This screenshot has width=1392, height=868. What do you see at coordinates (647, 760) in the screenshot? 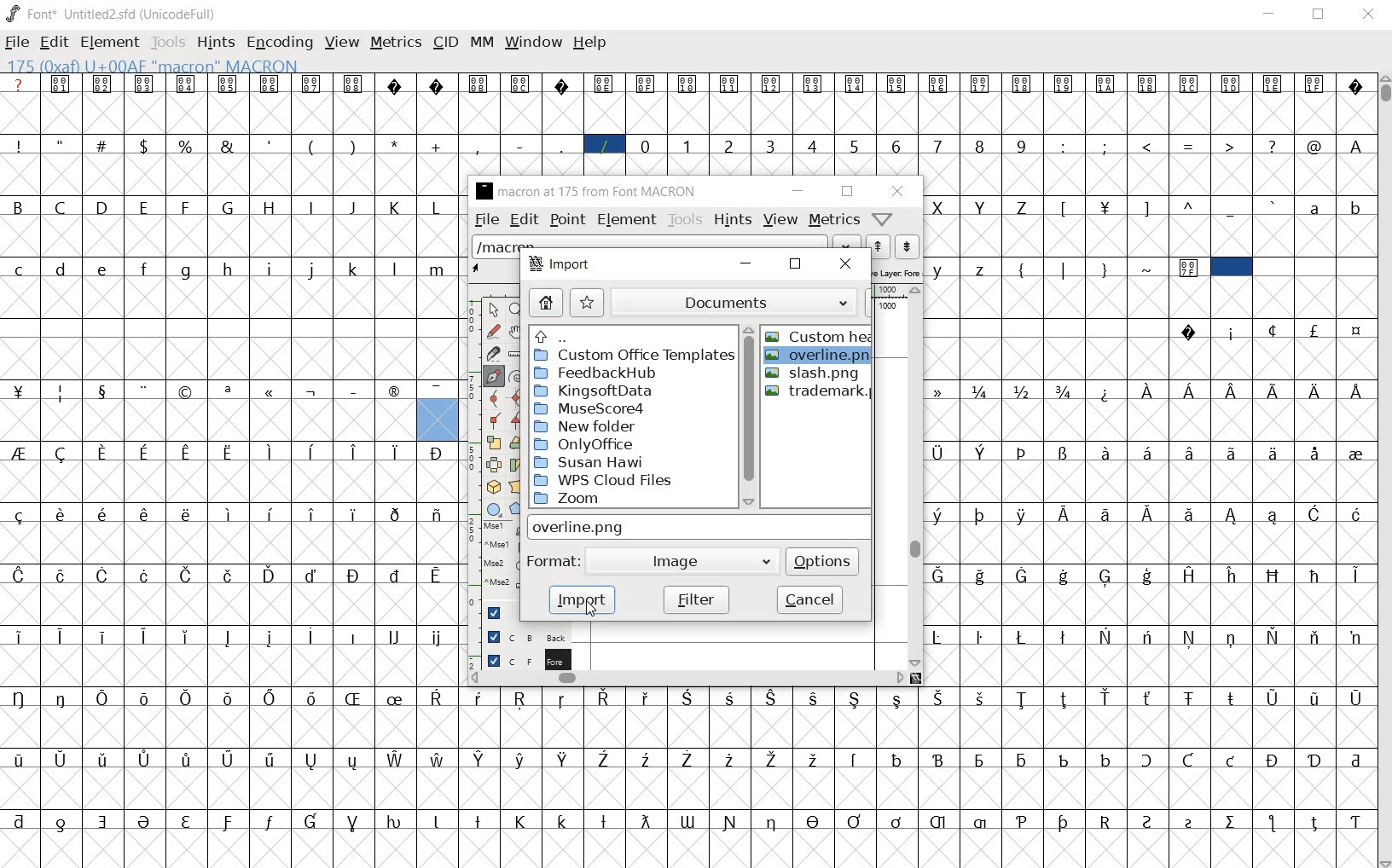
I see `Symbol` at bounding box center [647, 760].